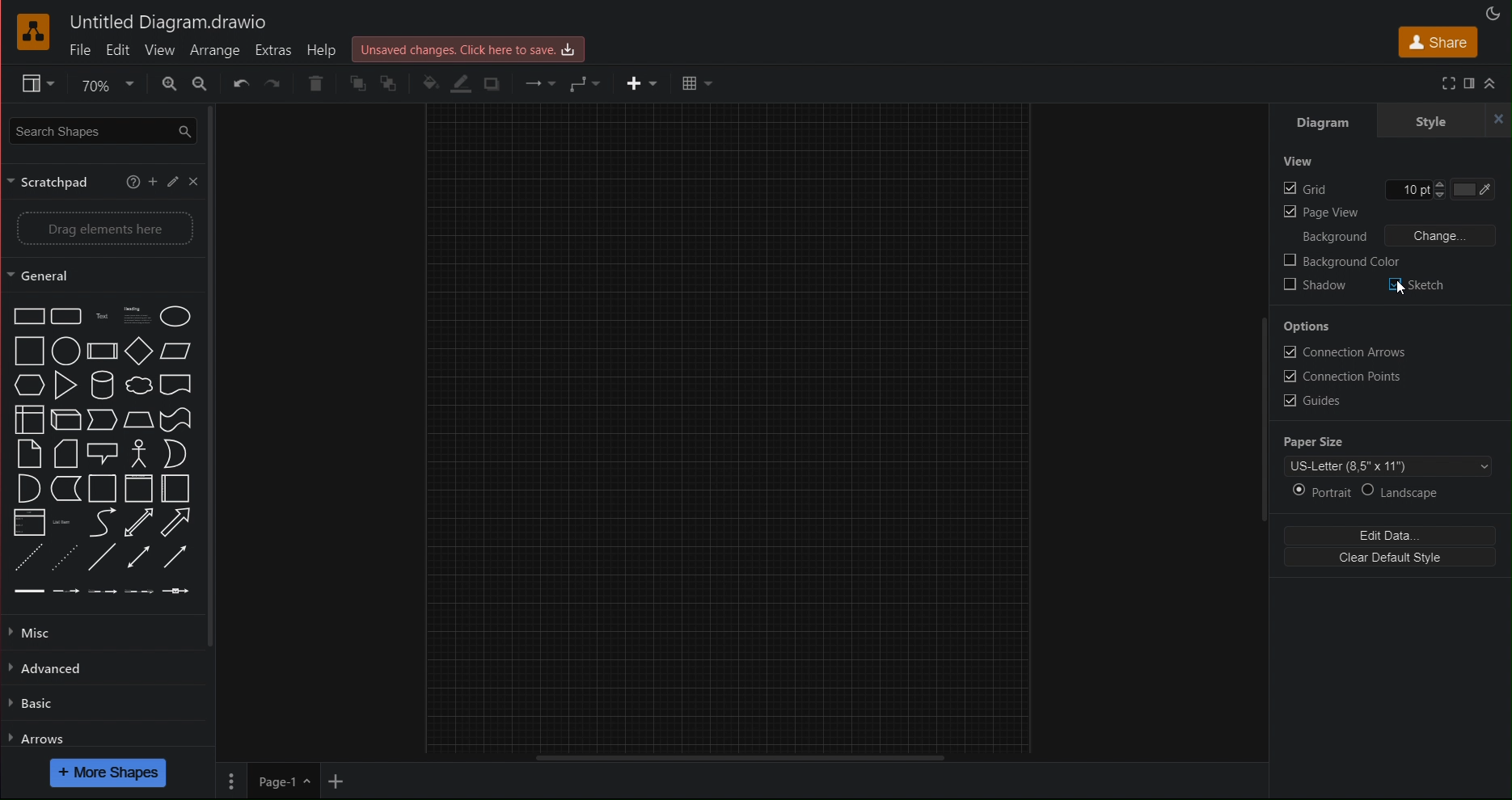 This screenshot has height=800, width=1512. I want to click on Zoom Out, so click(201, 83).